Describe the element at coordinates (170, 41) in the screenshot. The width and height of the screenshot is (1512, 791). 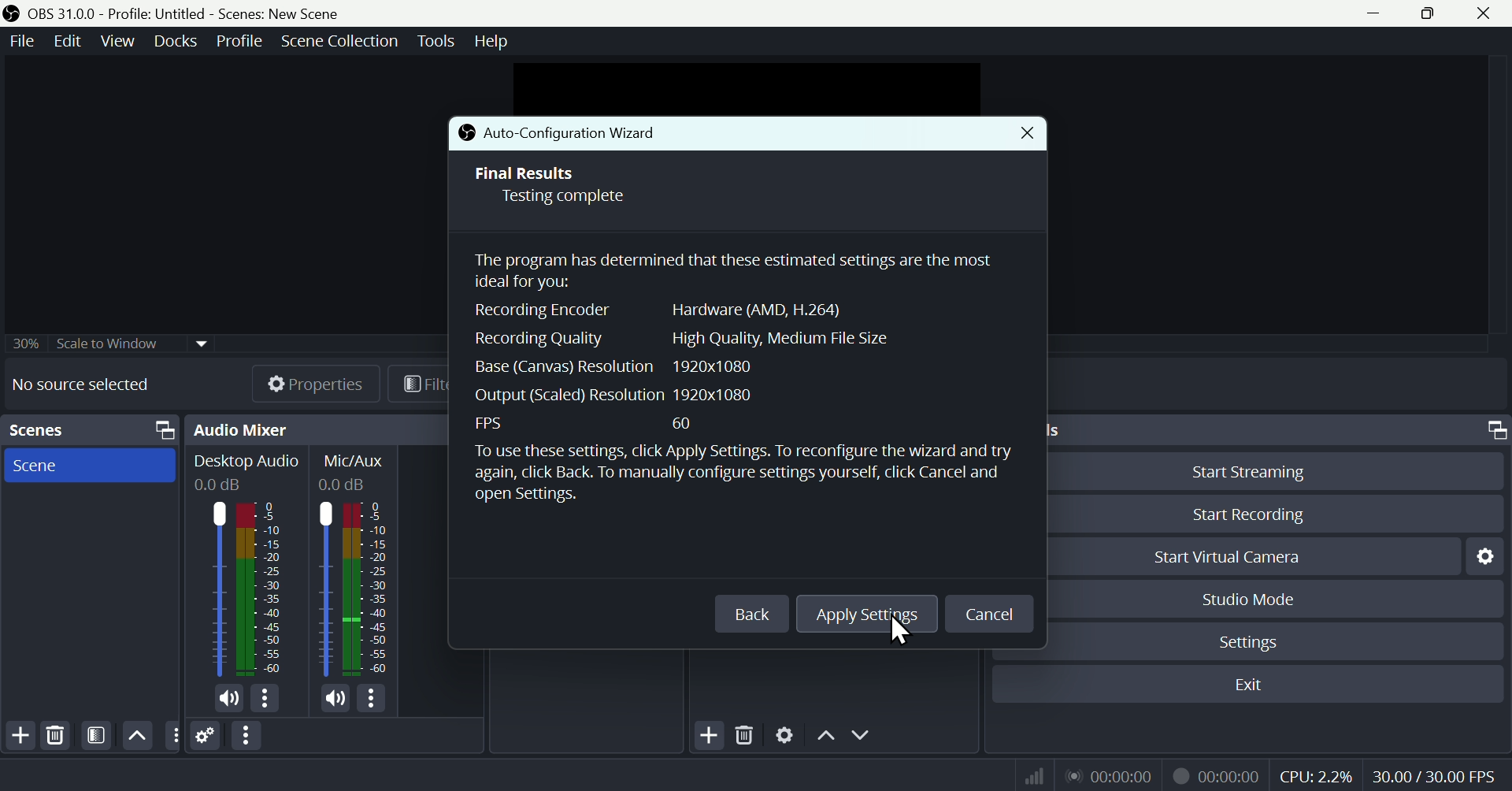
I see `Docks` at that location.